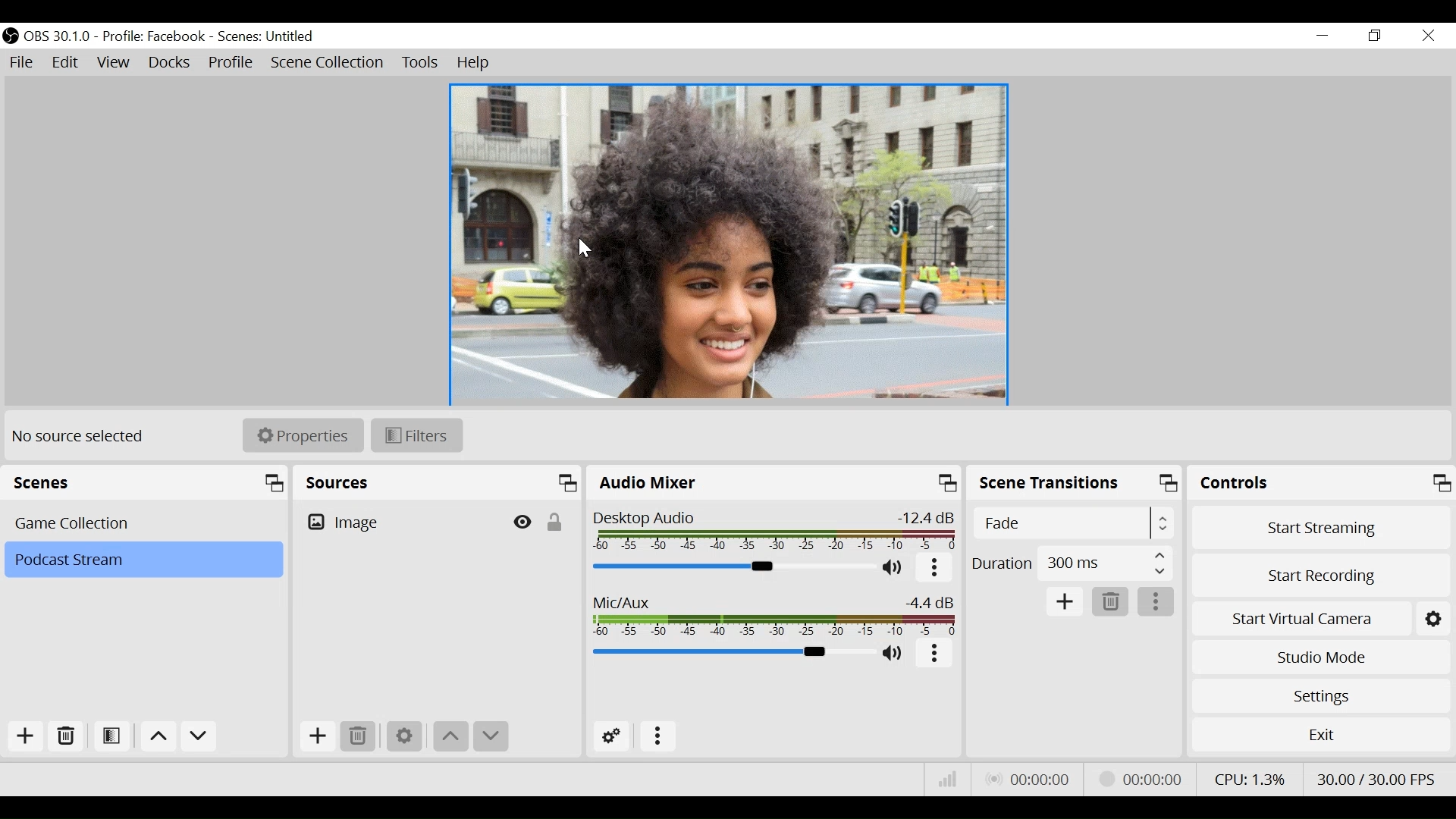  What do you see at coordinates (416, 436) in the screenshot?
I see `Filters` at bounding box center [416, 436].